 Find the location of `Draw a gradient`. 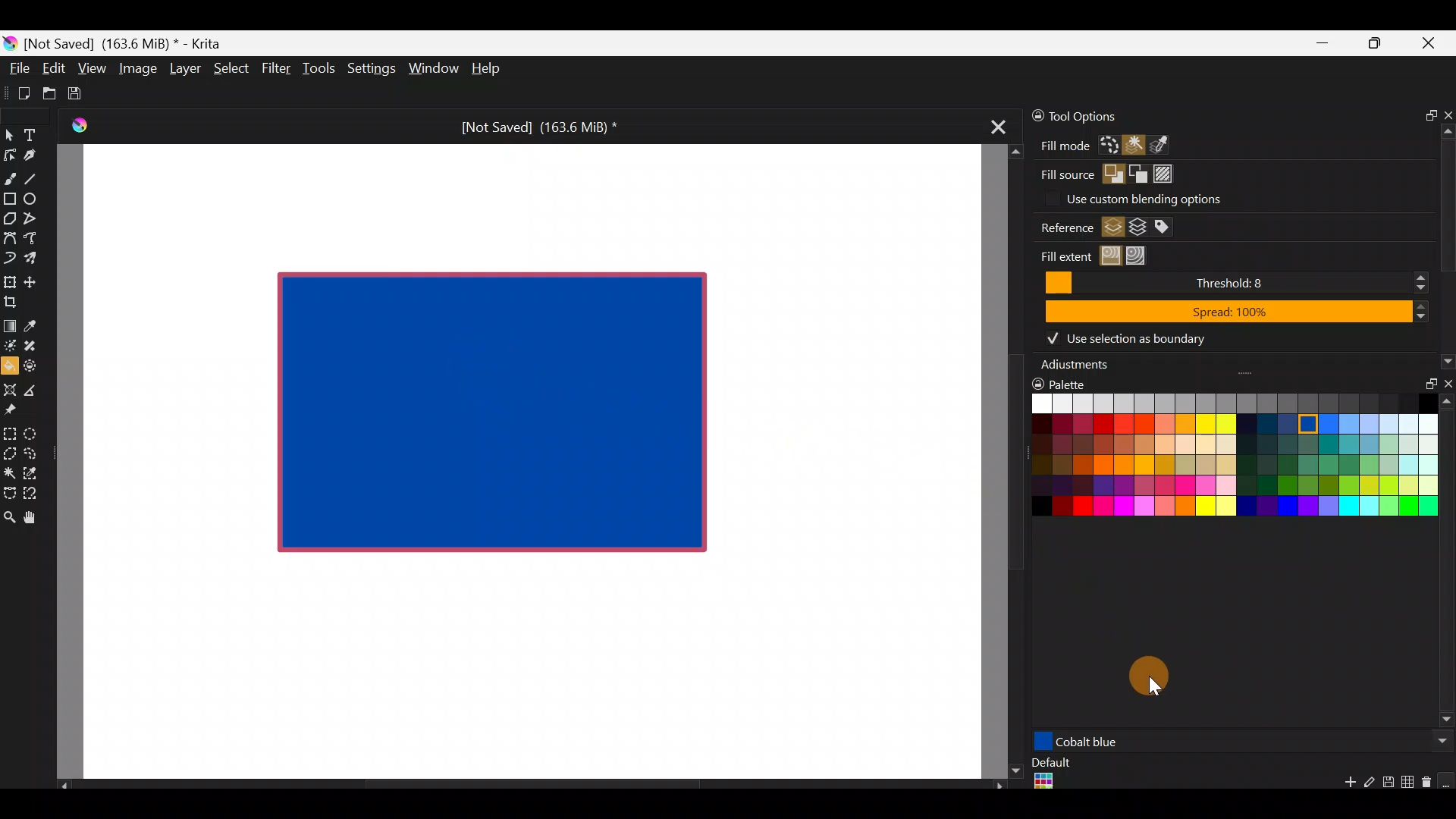

Draw a gradient is located at coordinates (10, 326).